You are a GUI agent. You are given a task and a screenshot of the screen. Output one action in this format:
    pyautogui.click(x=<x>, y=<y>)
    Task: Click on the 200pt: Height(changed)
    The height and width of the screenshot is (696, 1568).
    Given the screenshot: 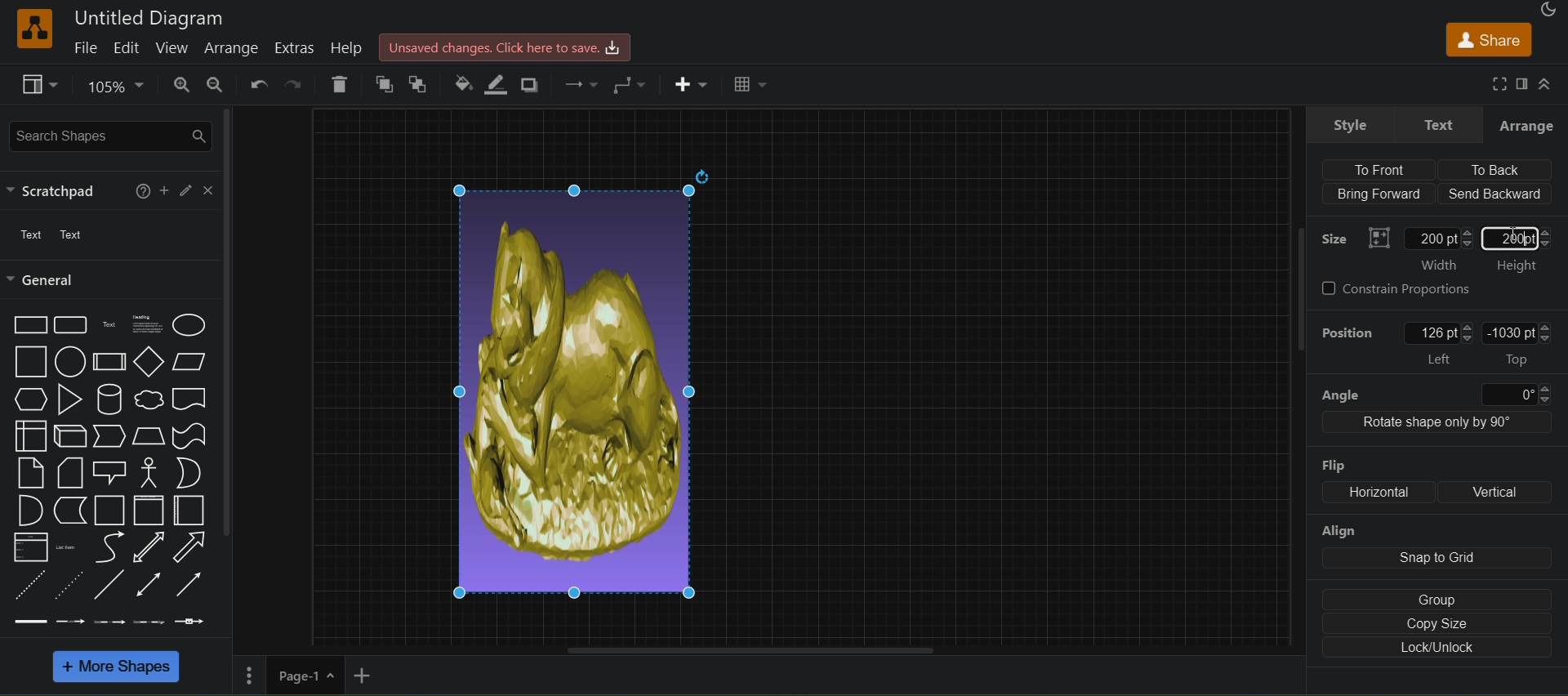 What is the action you would take?
    pyautogui.click(x=1522, y=248)
    